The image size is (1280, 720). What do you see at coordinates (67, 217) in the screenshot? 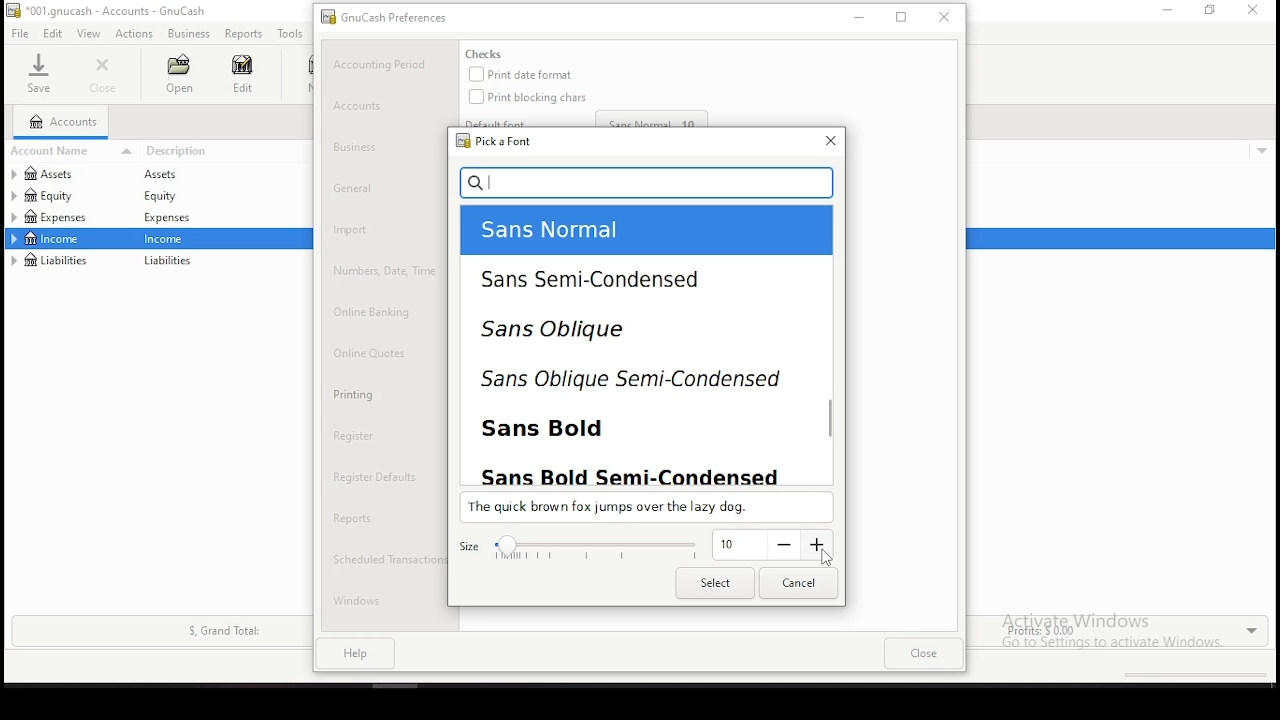
I see `expenses` at bounding box center [67, 217].